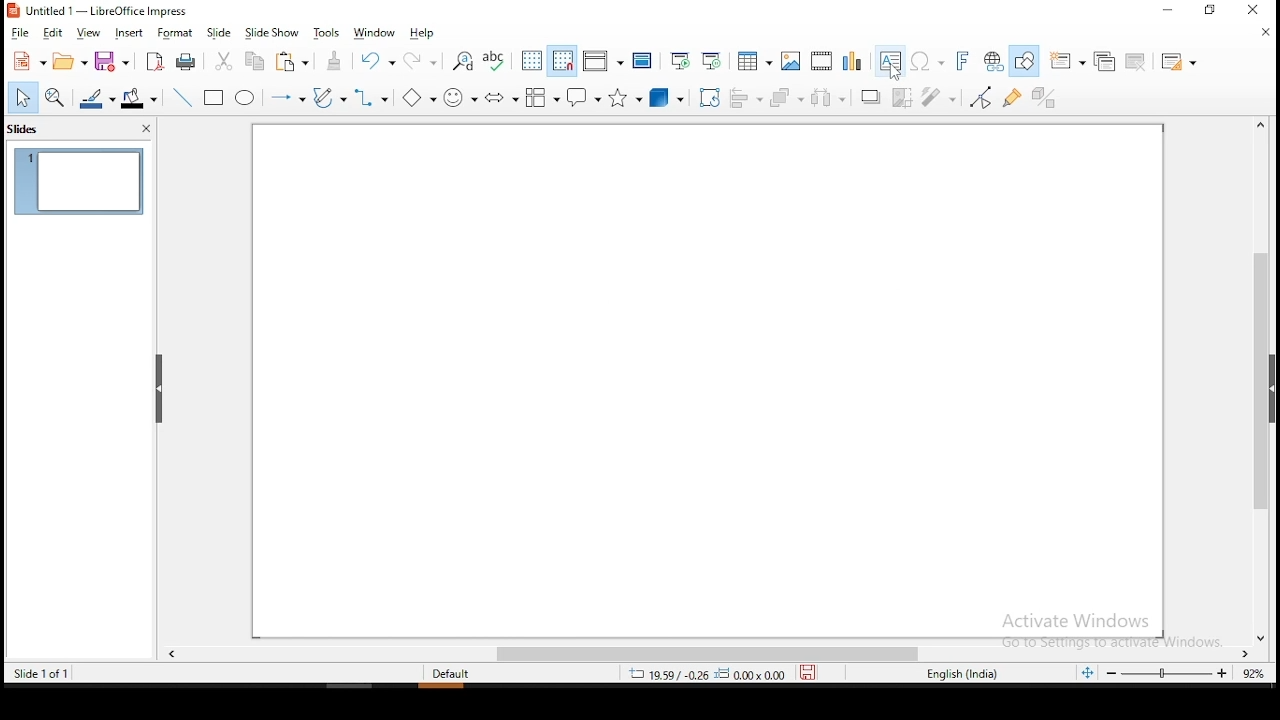 Image resolution: width=1280 pixels, height=720 pixels. I want to click on english (india), so click(962, 675).